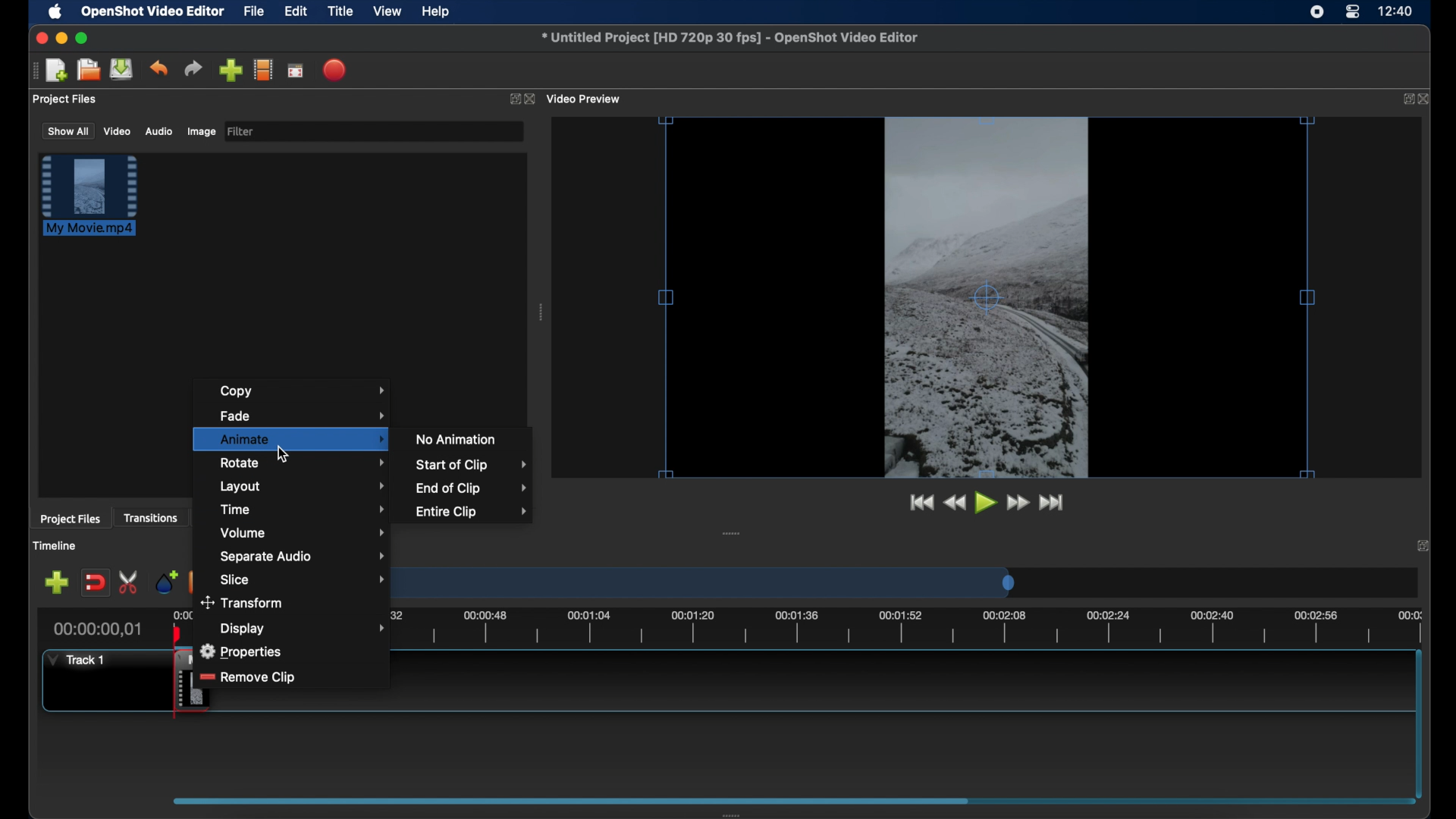  What do you see at coordinates (473, 488) in the screenshot?
I see `end of clip menu` at bounding box center [473, 488].